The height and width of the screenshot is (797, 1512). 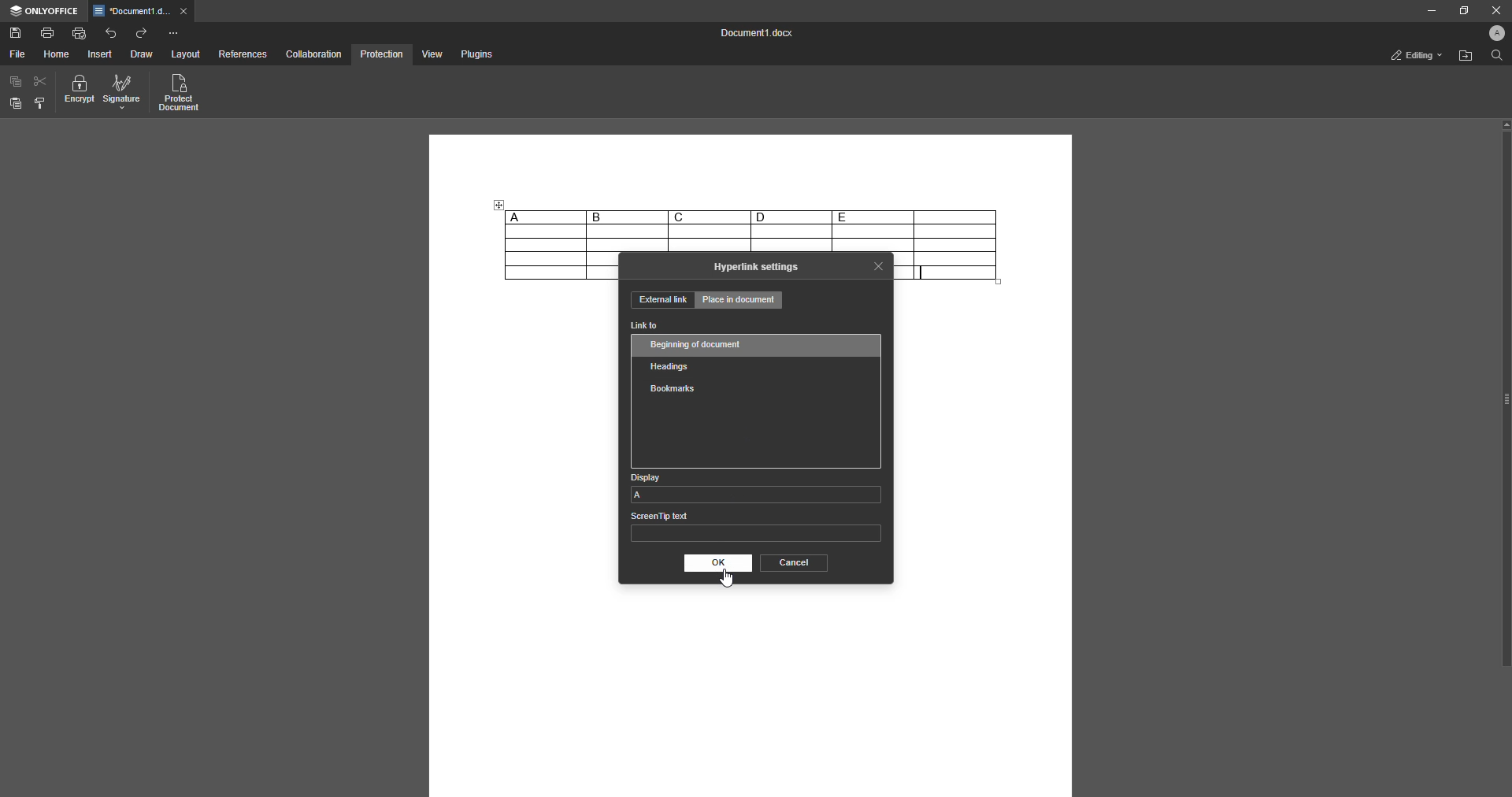 What do you see at coordinates (709, 217) in the screenshot?
I see `C` at bounding box center [709, 217].